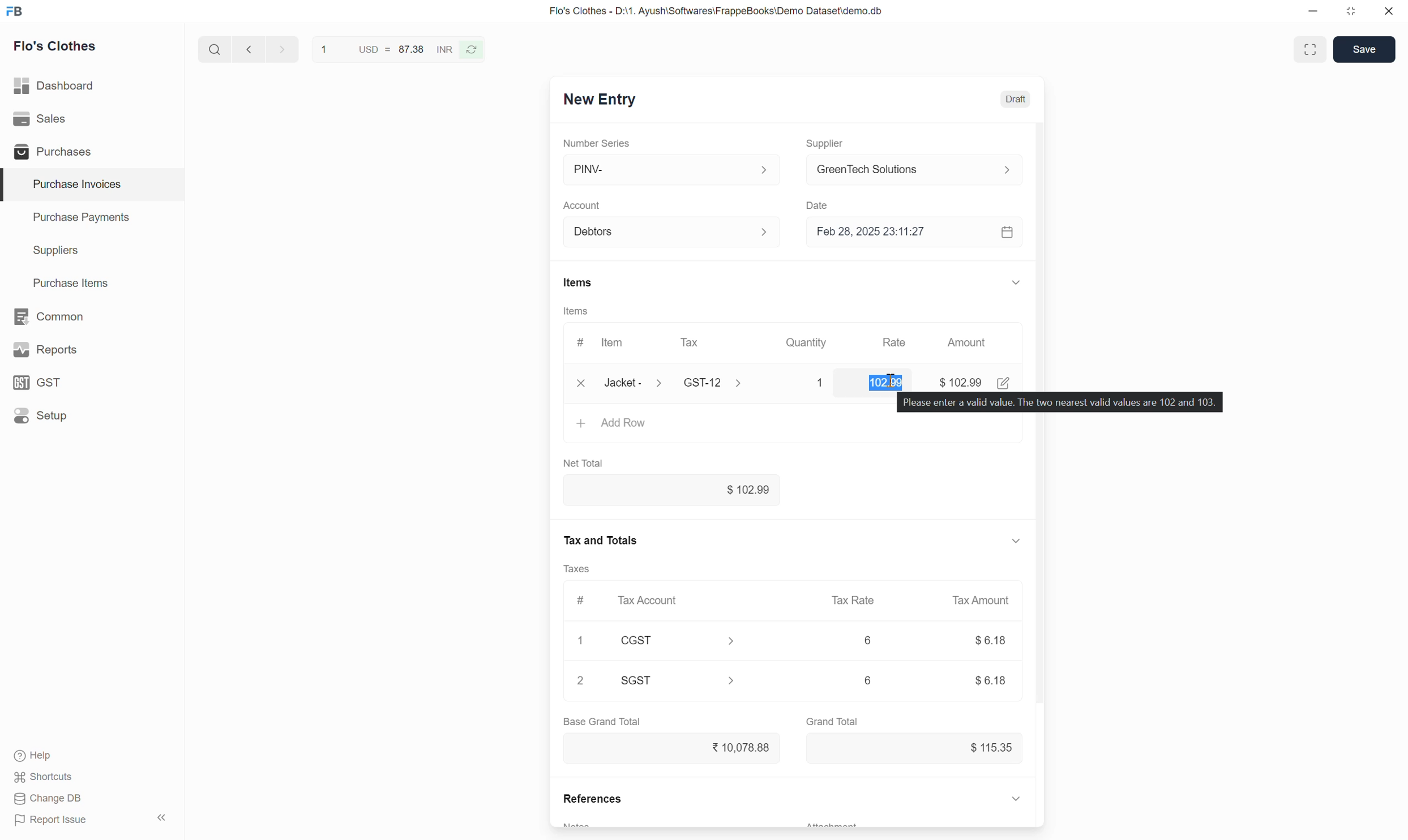 The height and width of the screenshot is (840, 1408). I want to click on $102.99, so click(672, 490).